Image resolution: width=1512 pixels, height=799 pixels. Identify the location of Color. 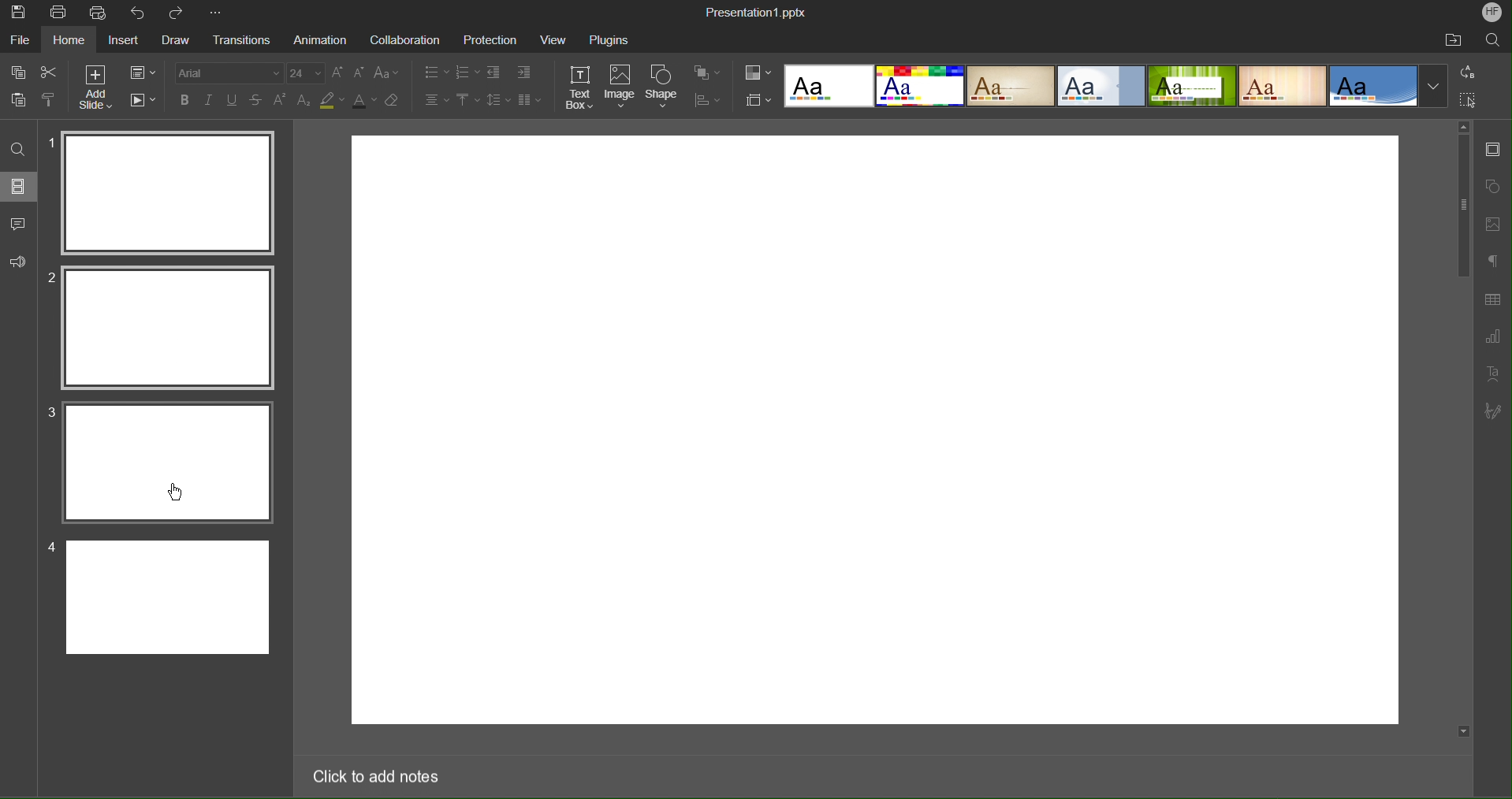
(758, 72).